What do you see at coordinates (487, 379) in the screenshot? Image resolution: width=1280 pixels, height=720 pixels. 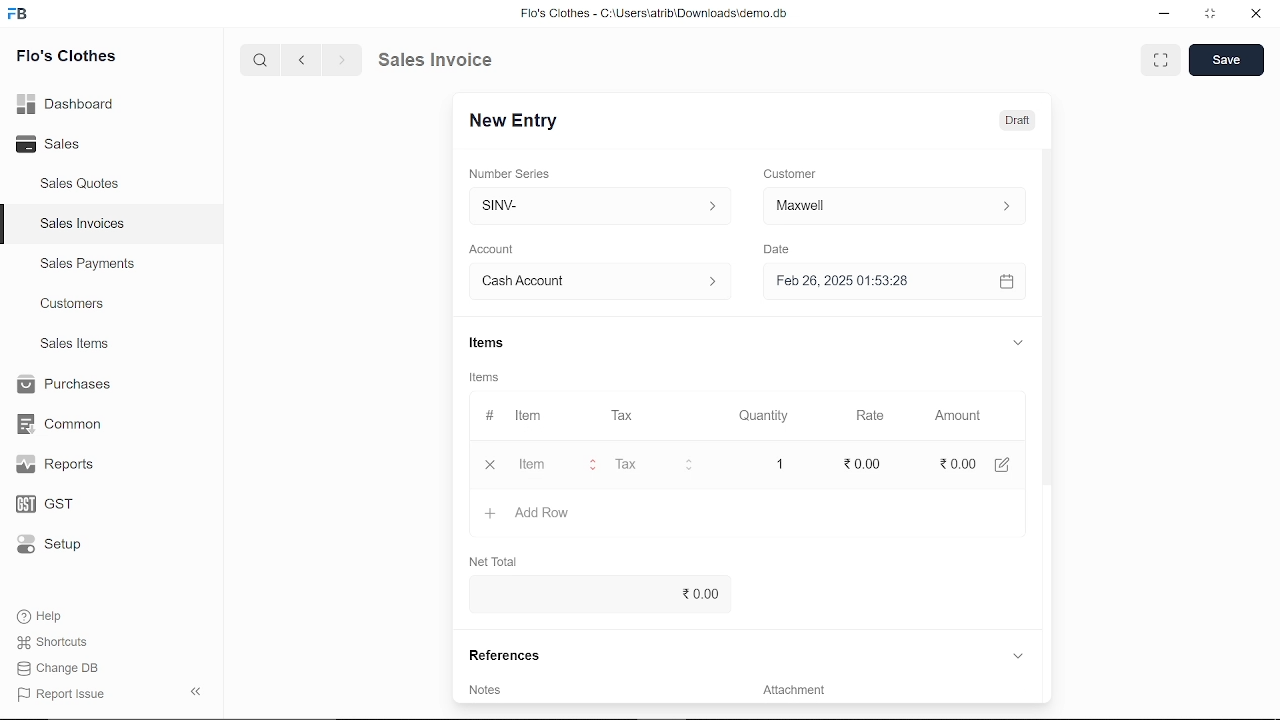 I see `` at bounding box center [487, 379].